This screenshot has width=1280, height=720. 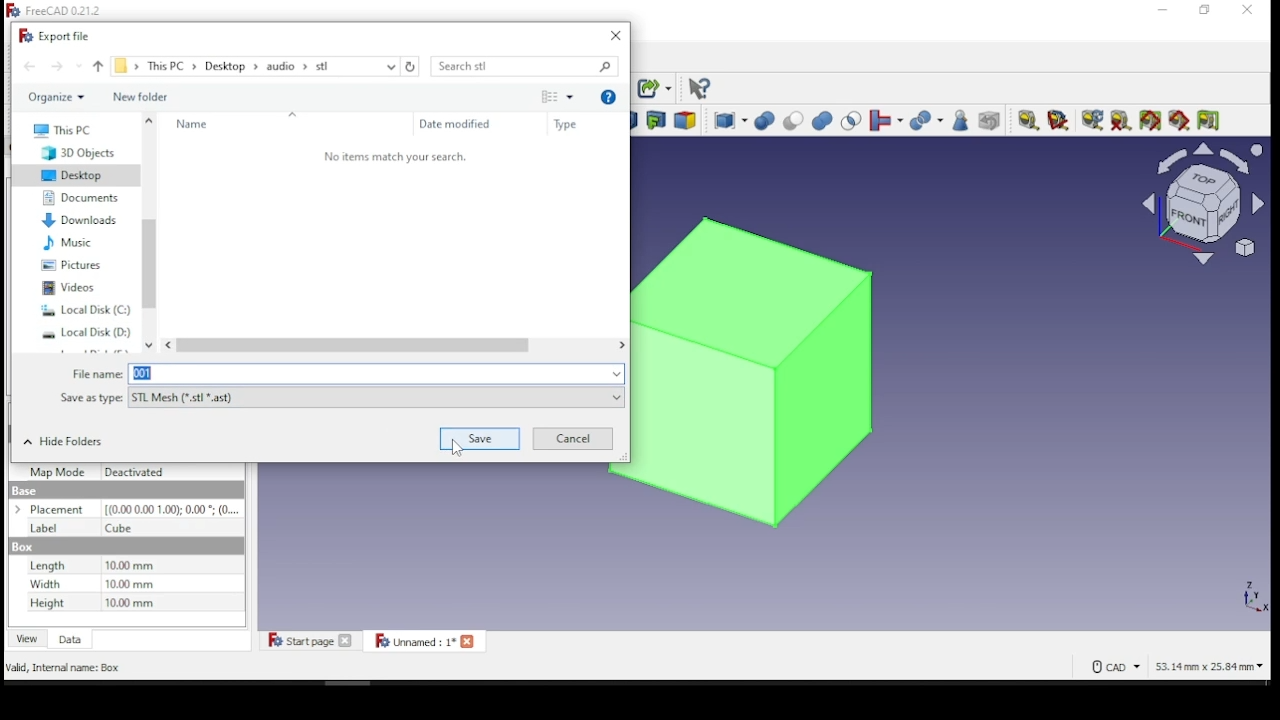 What do you see at coordinates (699, 90) in the screenshot?
I see `what's this?` at bounding box center [699, 90].